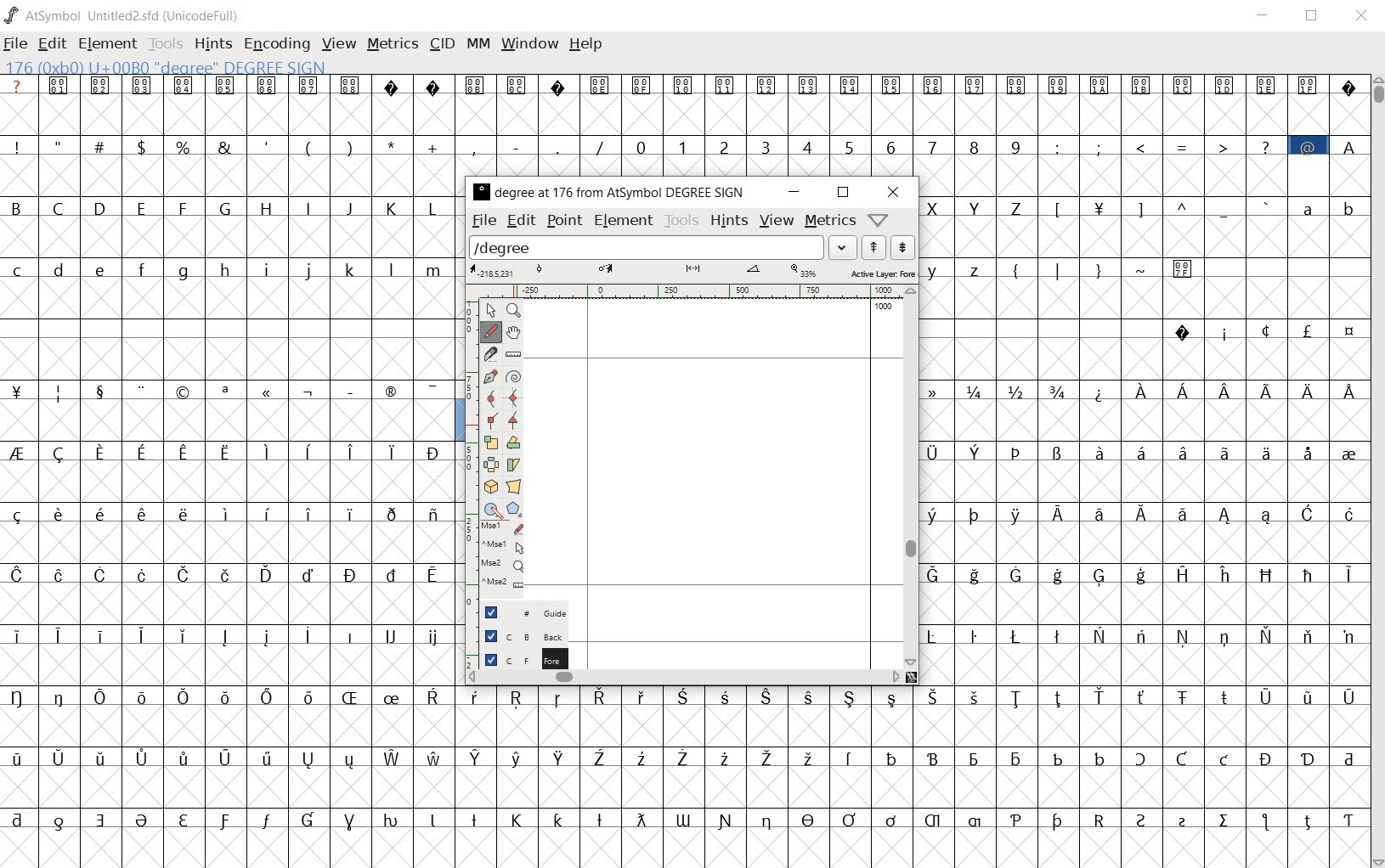 This screenshot has width=1385, height=868. What do you see at coordinates (229, 239) in the screenshot?
I see `empty glyph slots` at bounding box center [229, 239].